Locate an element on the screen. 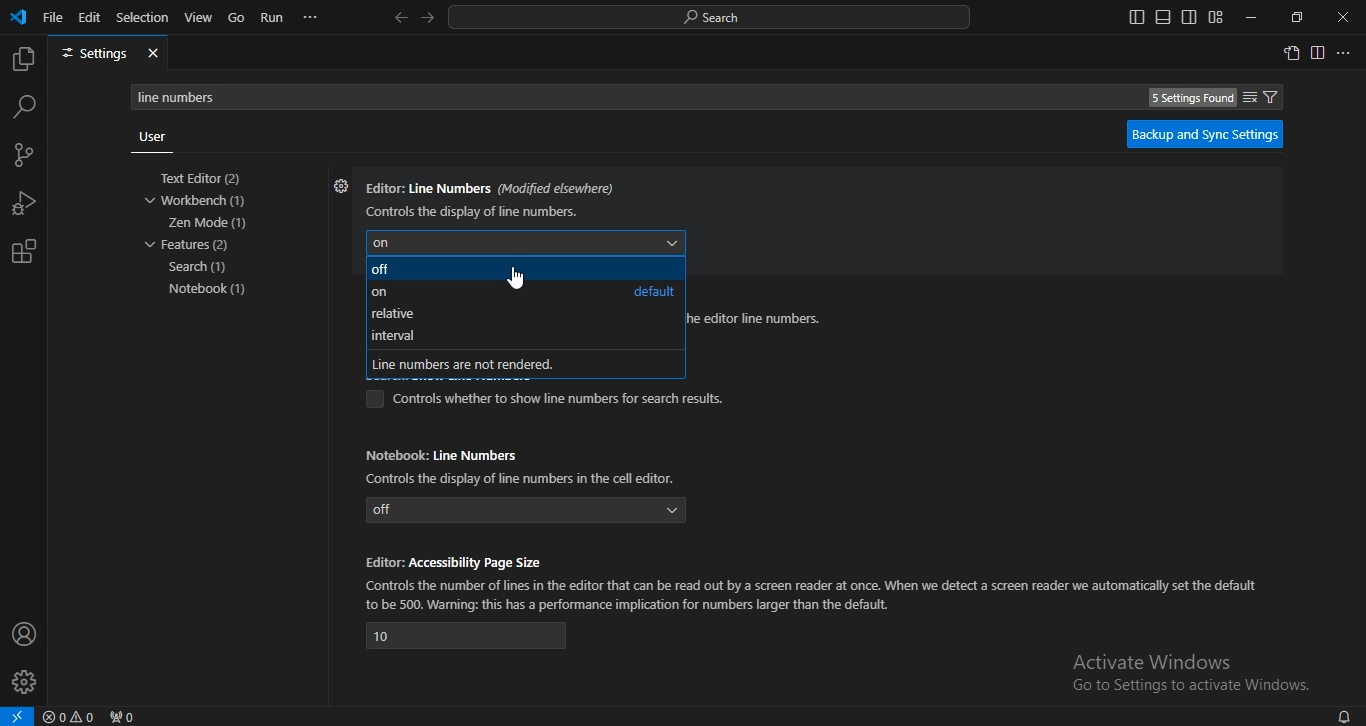 This screenshot has height=726, width=1366. search settings is located at coordinates (714, 96).